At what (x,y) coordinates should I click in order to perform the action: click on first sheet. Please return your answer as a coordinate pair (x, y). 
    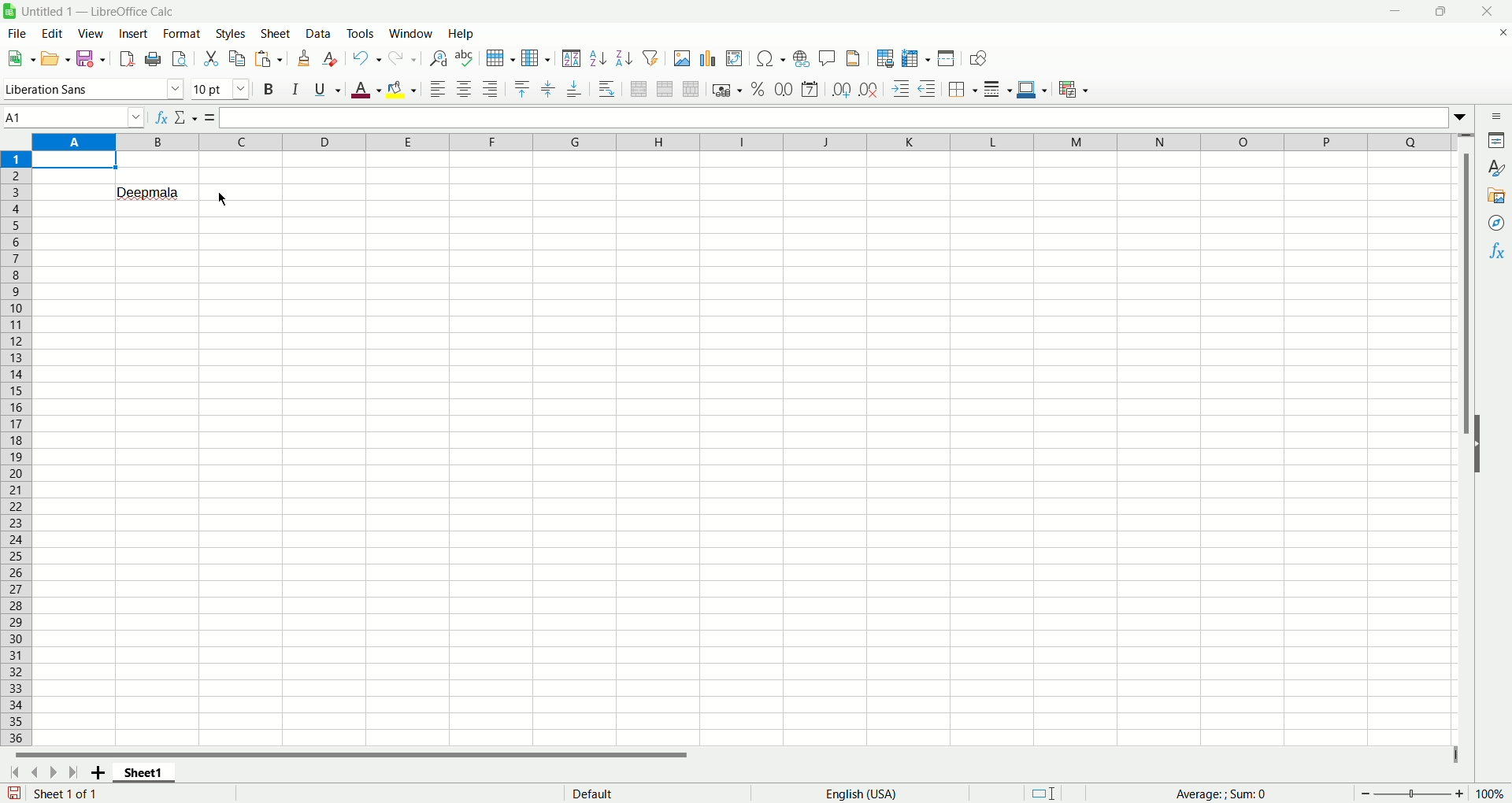
    Looking at the image, I should click on (13, 775).